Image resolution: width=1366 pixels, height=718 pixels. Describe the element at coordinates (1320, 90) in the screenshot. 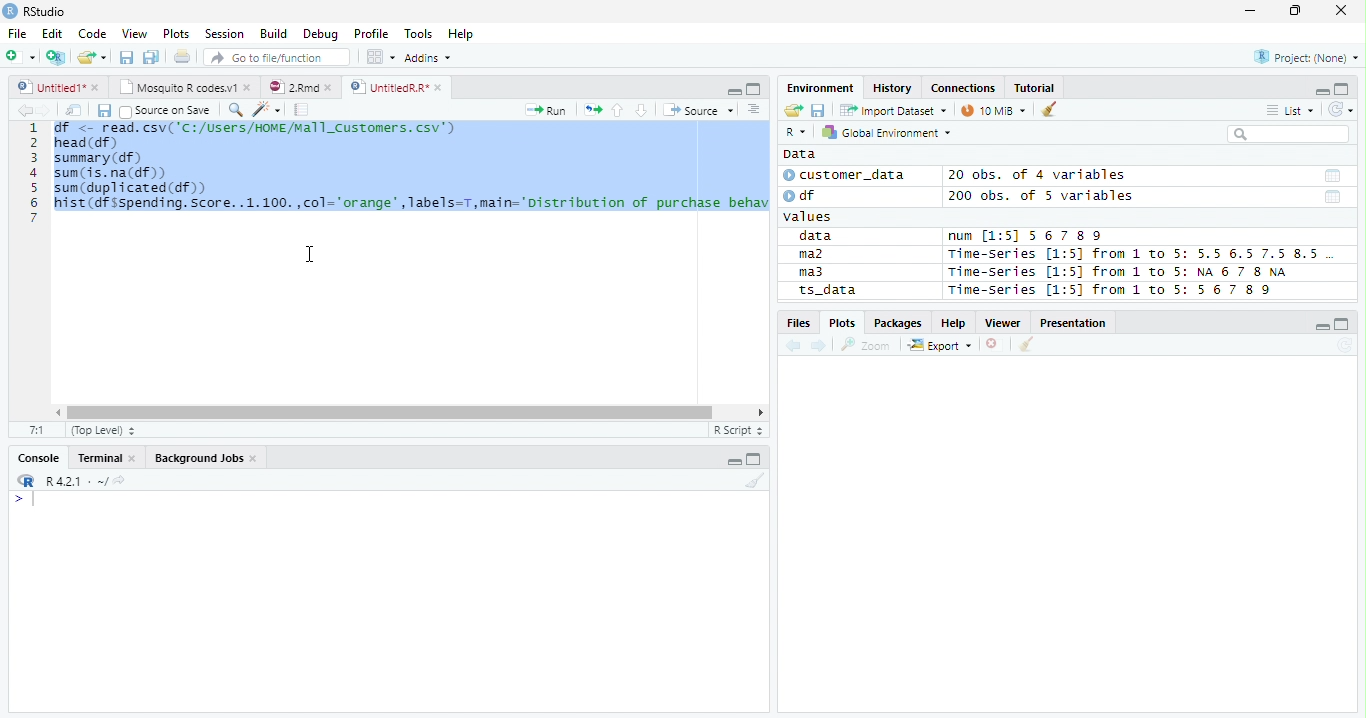

I see `Minimze` at that location.